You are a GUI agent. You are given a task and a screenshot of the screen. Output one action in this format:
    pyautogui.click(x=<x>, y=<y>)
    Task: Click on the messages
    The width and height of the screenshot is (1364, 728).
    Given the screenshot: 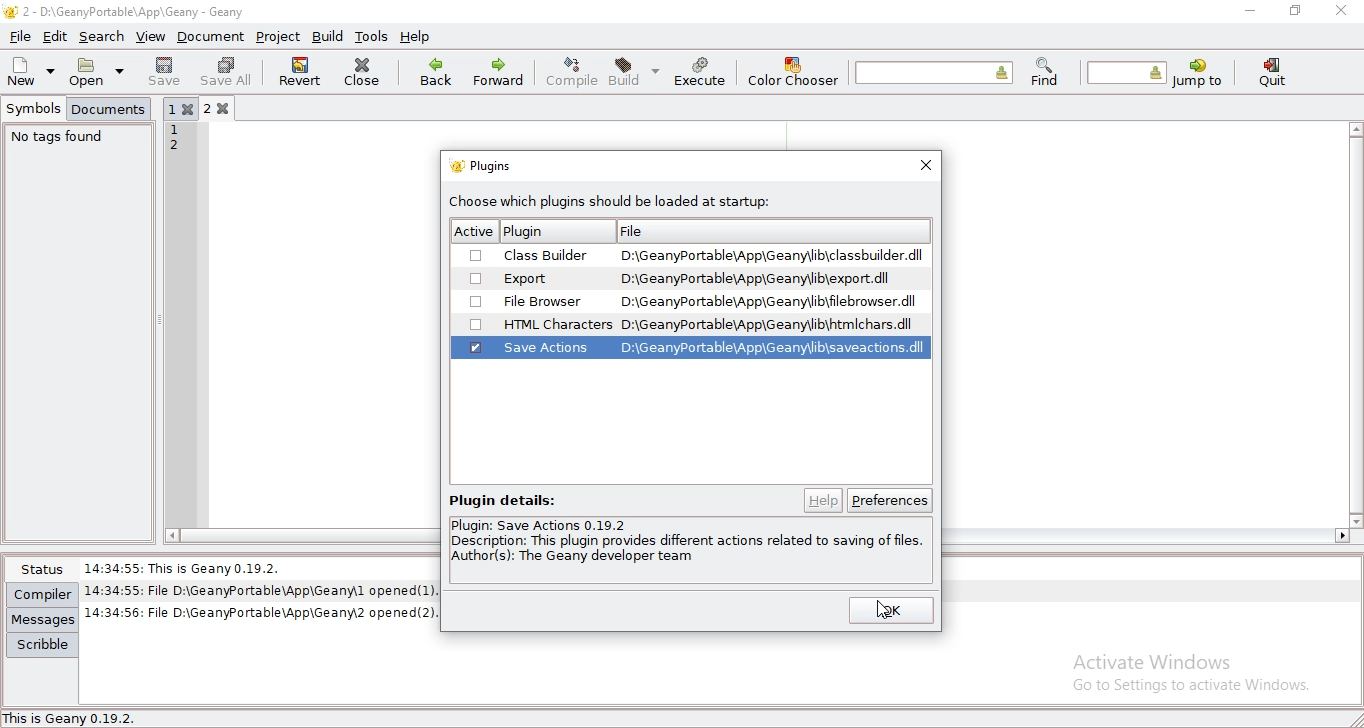 What is the action you would take?
    pyautogui.click(x=43, y=619)
    